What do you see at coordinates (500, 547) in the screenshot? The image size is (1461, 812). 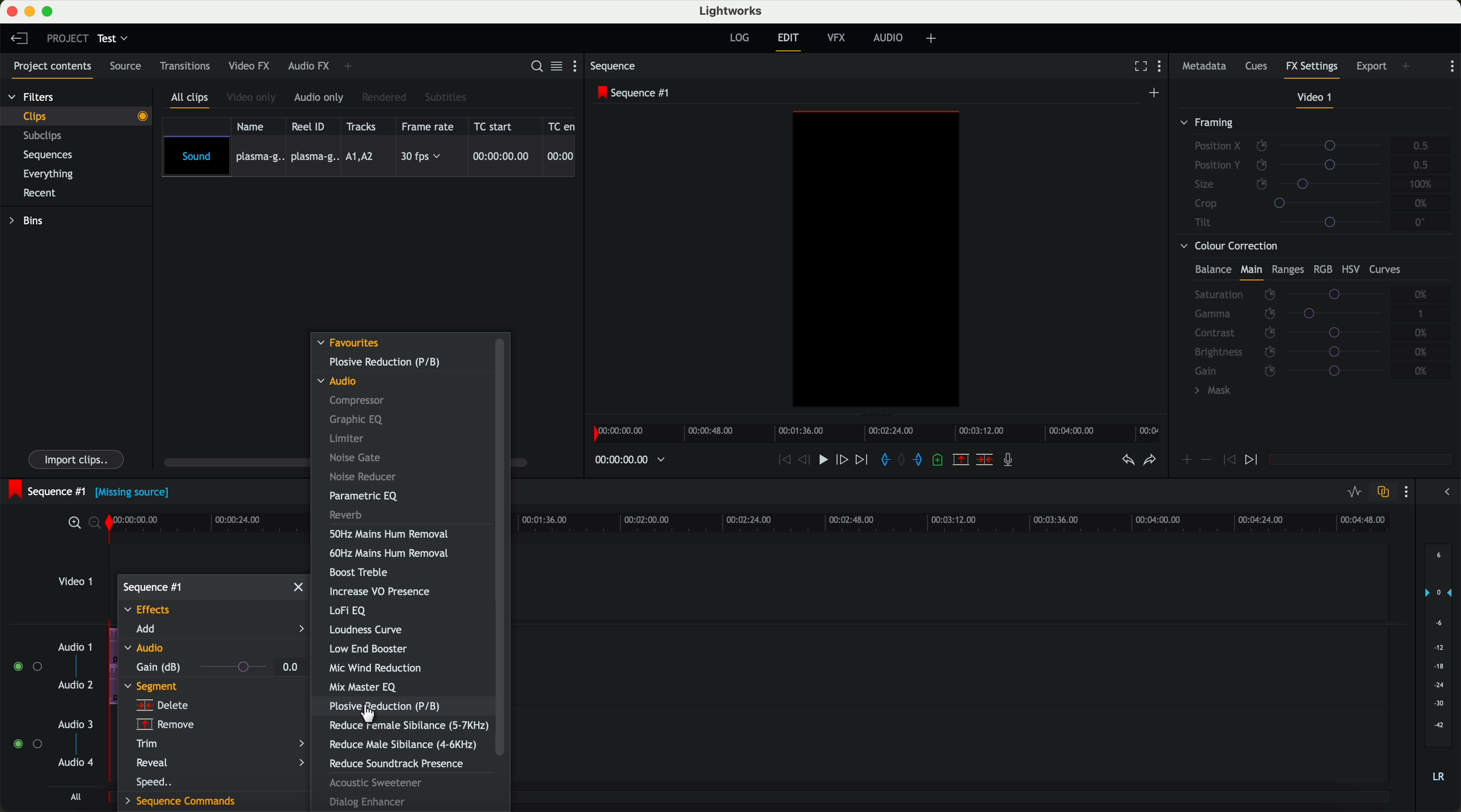 I see `scroll bar` at bounding box center [500, 547].